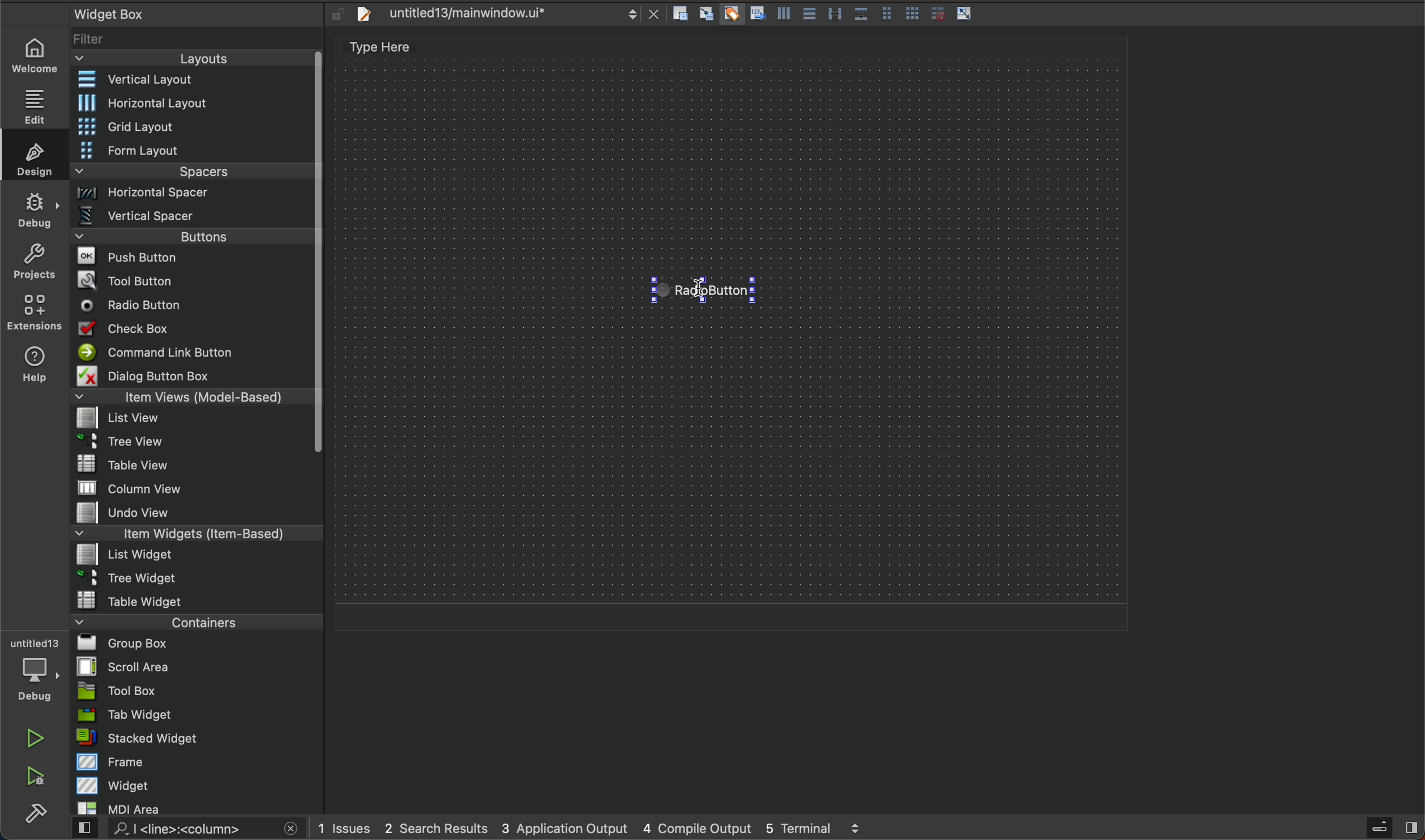 This screenshot has width=1425, height=840. What do you see at coordinates (183, 829) in the screenshot?
I see `search` at bounding box center [183, 829].